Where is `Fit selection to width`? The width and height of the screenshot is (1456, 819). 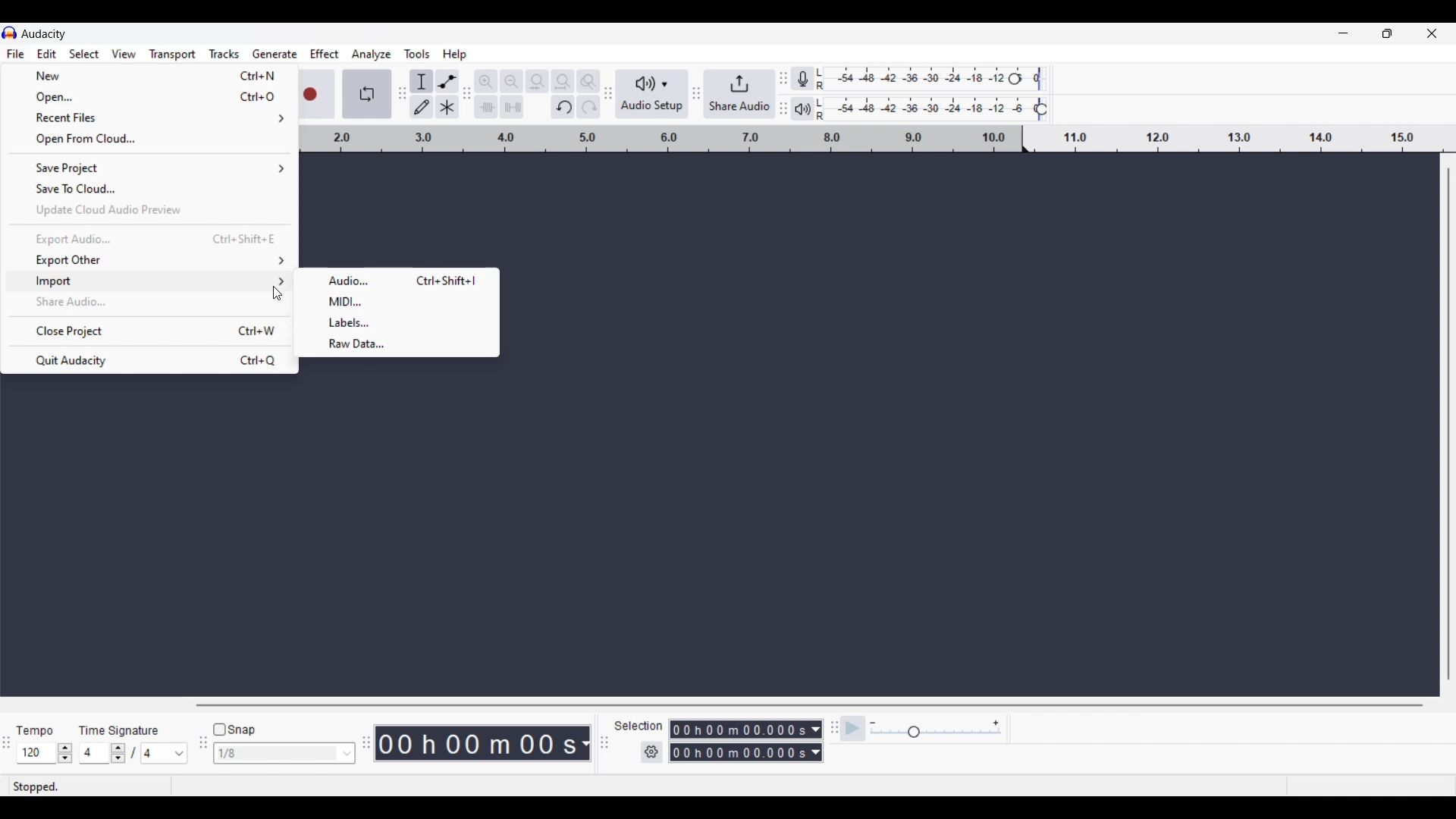
Fit selection to width is located at coordinates (537, 81).